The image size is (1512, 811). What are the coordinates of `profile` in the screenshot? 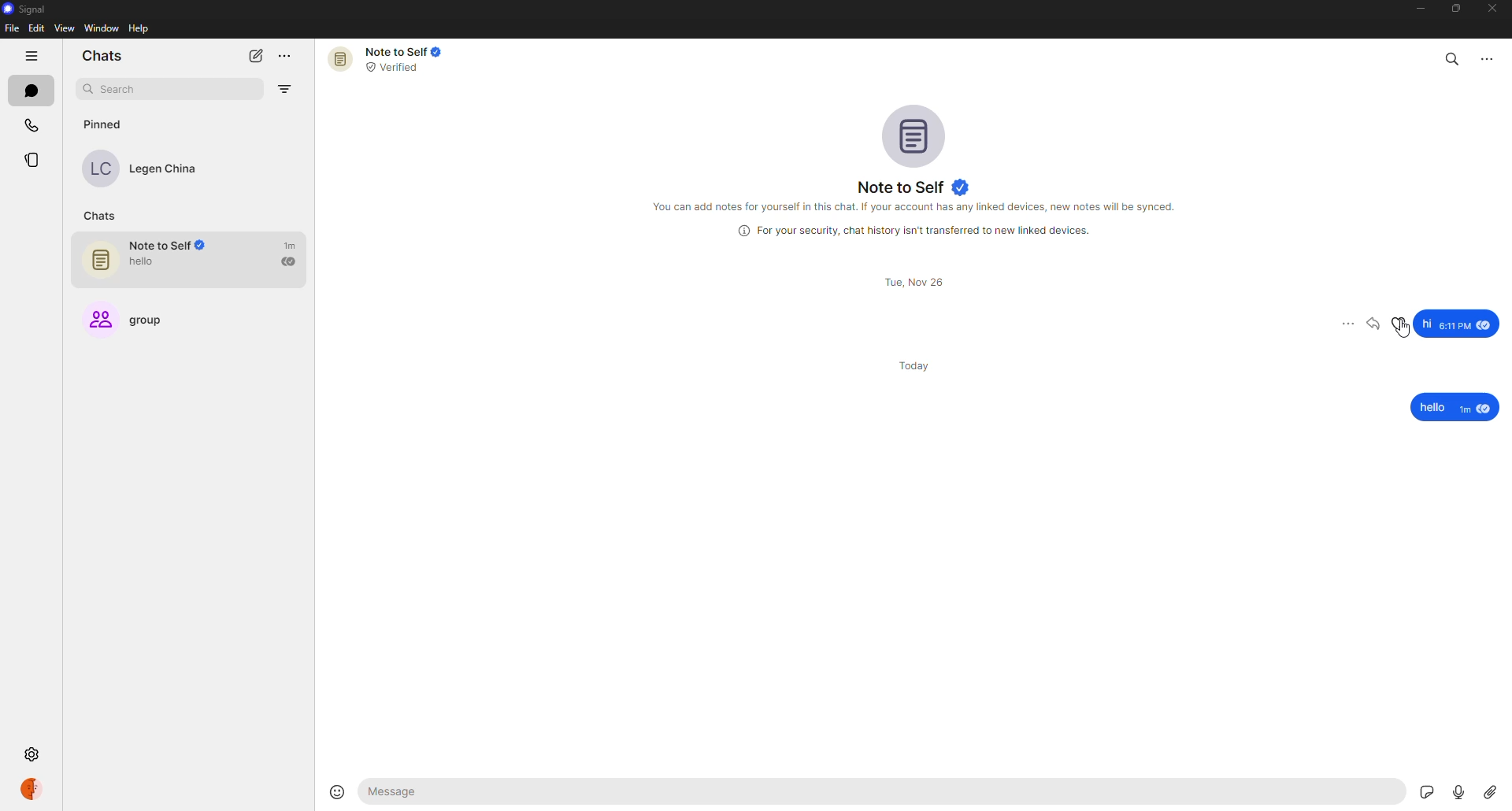 It's located at (31, 787).